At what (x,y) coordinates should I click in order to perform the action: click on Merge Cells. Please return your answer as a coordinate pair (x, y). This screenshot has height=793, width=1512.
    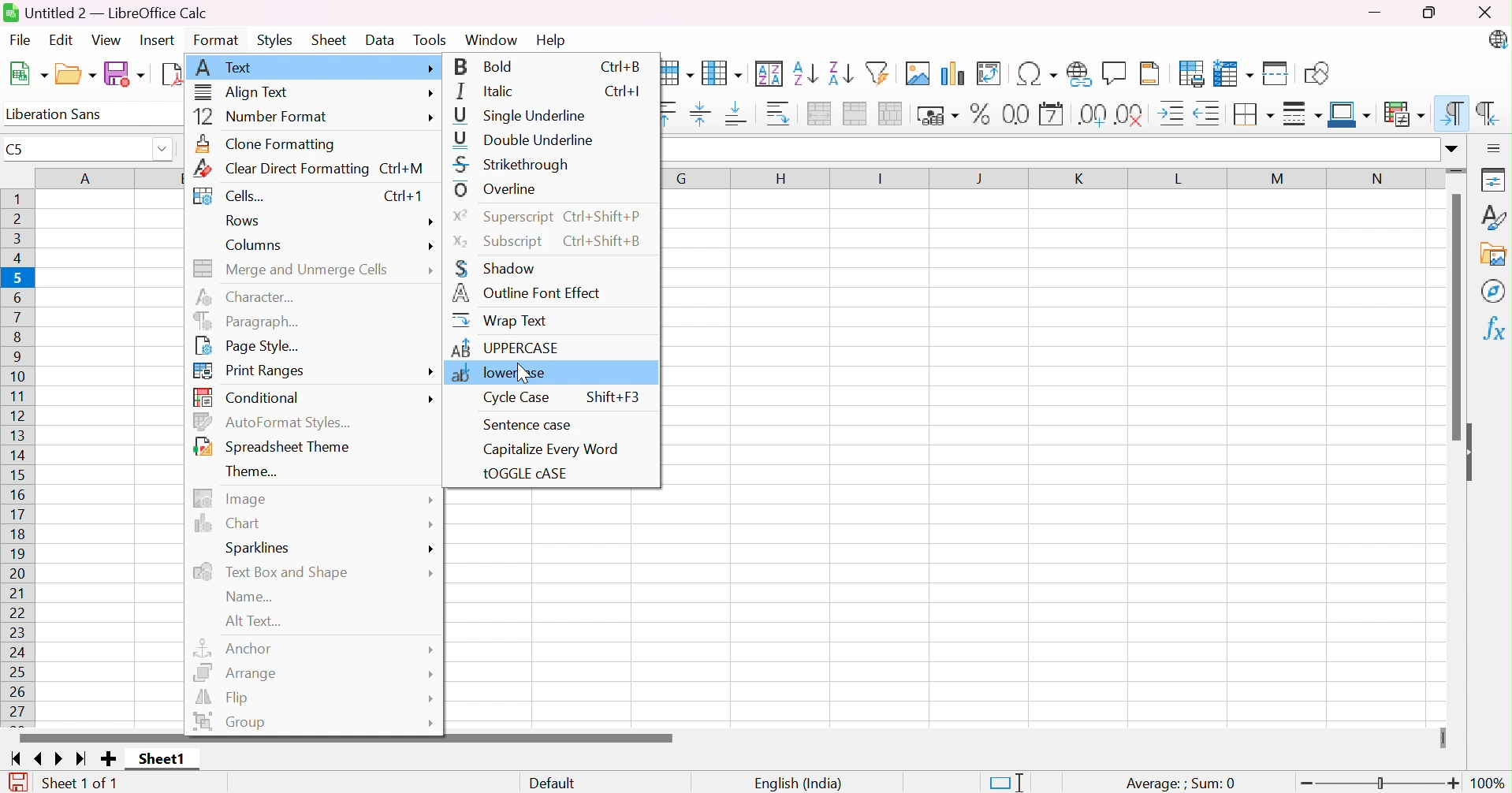
    Looking at the image, I should click on (858, 114).